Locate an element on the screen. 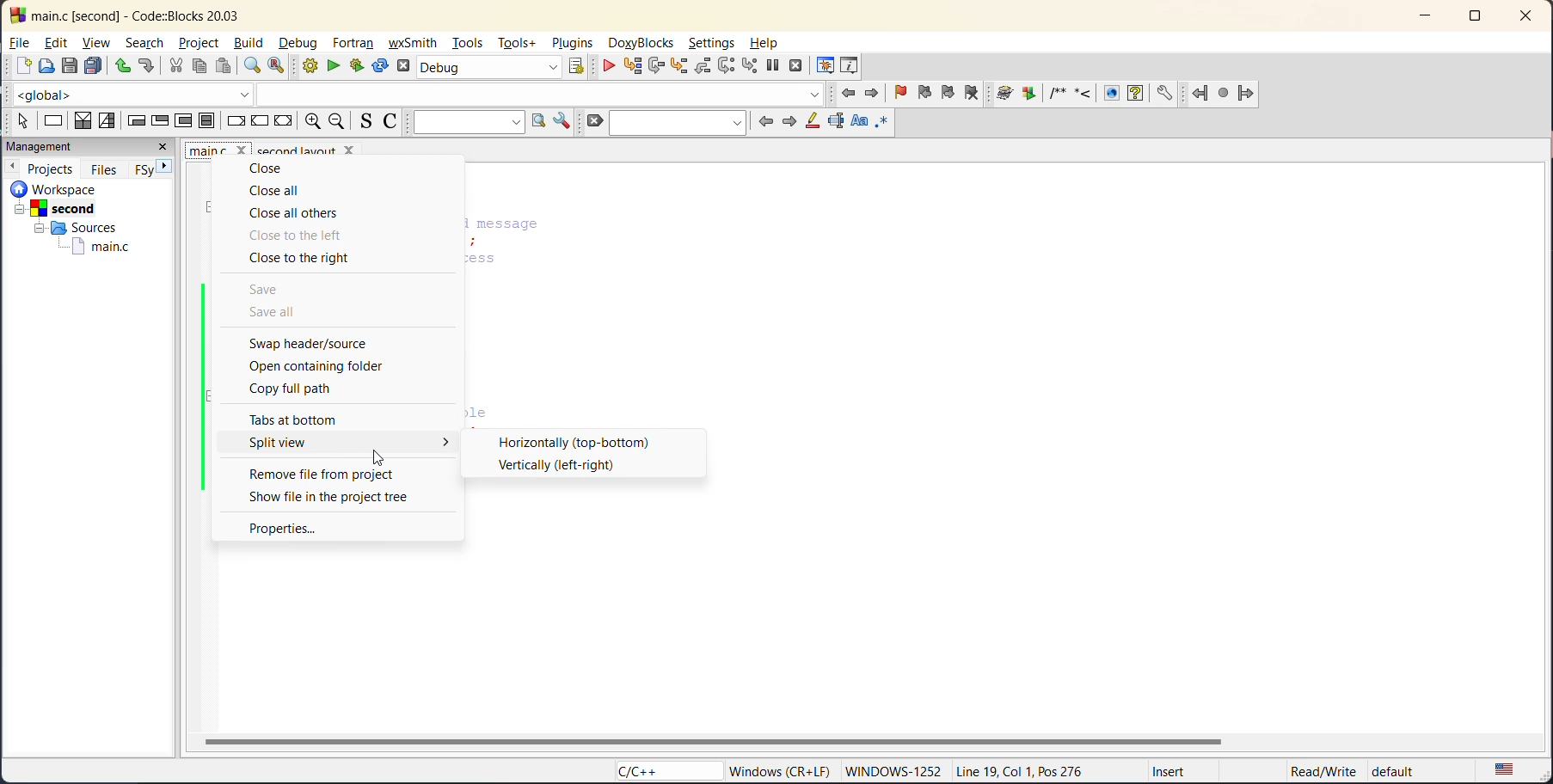 The image size is (1553, 784). Insert is located at coordinates (1172, 770).